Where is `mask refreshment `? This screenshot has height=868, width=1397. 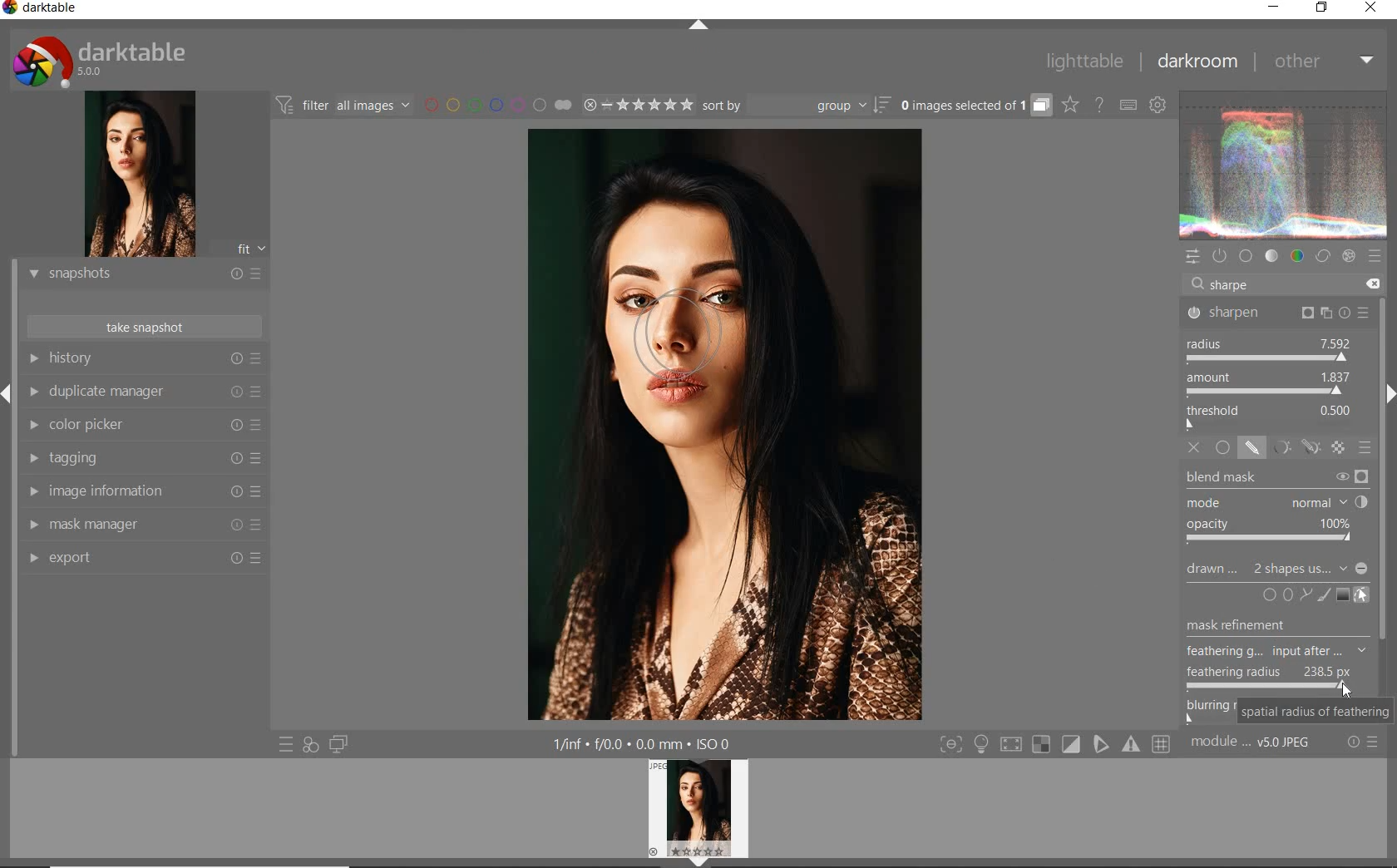
mask refreshment  is located at coordinates (1279, 624).